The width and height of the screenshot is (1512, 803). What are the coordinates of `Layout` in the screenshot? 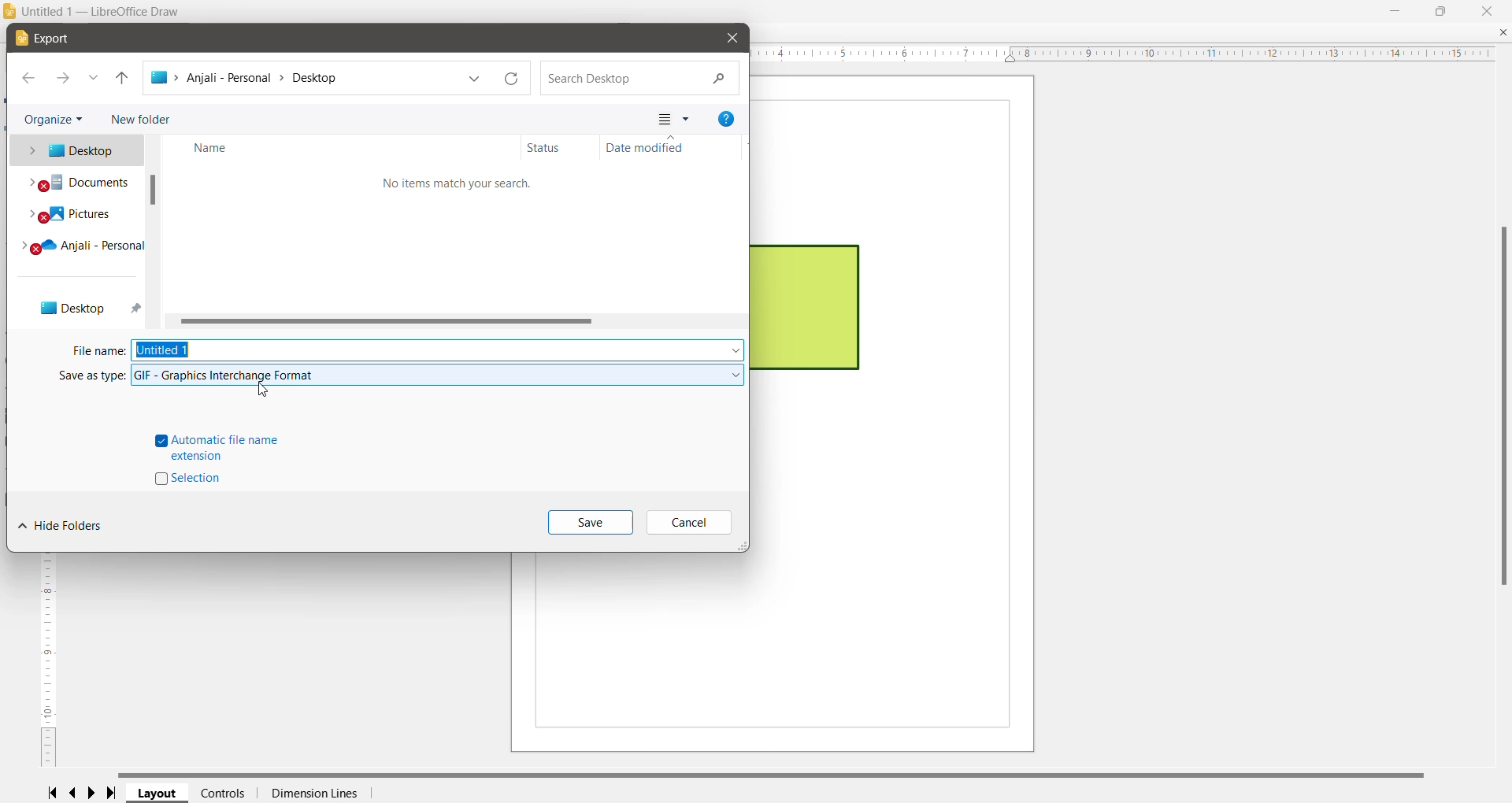 It's located at (158, 794).